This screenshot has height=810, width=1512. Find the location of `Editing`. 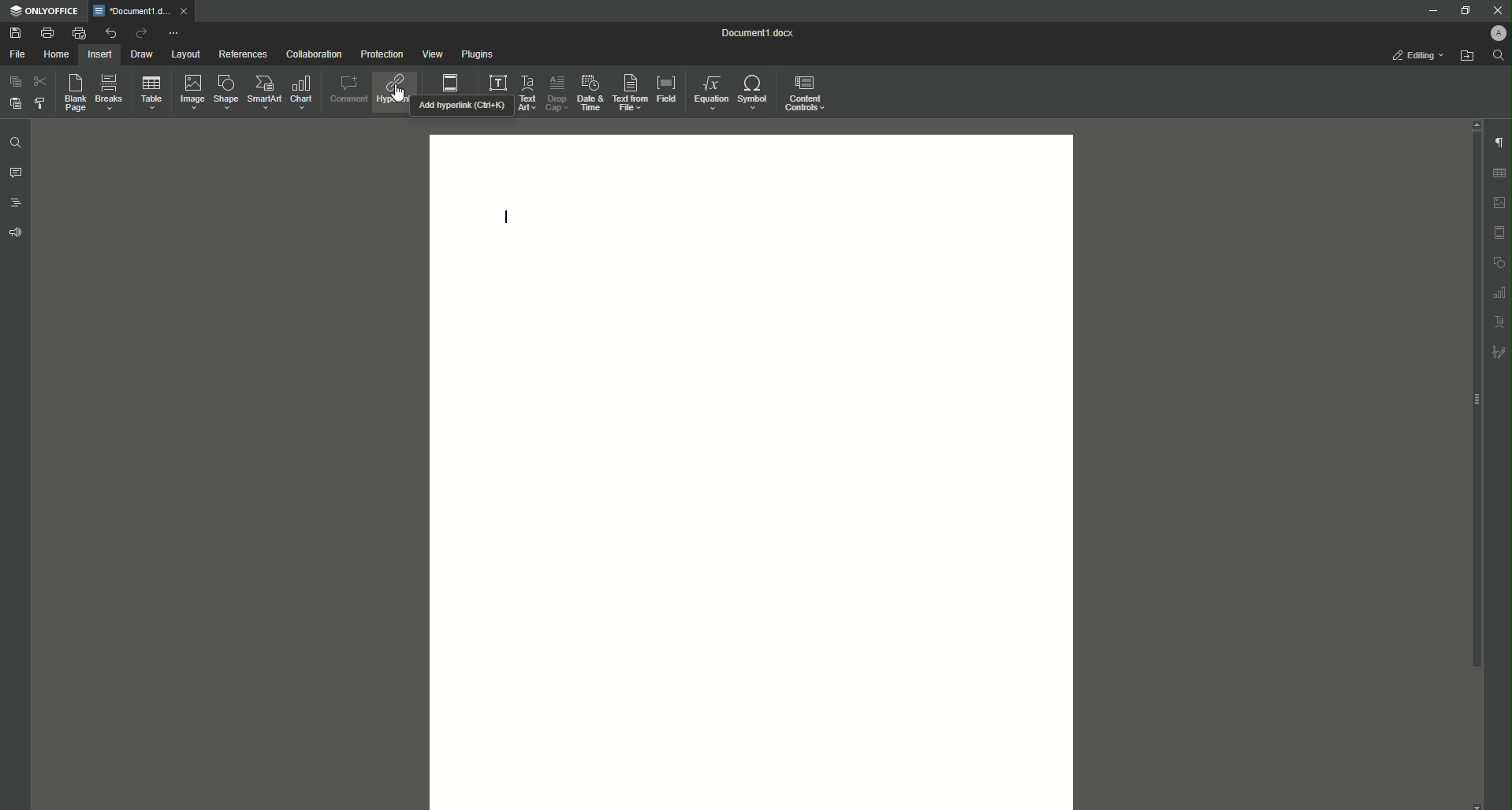

Editing is located at coordinates (1413, 54).